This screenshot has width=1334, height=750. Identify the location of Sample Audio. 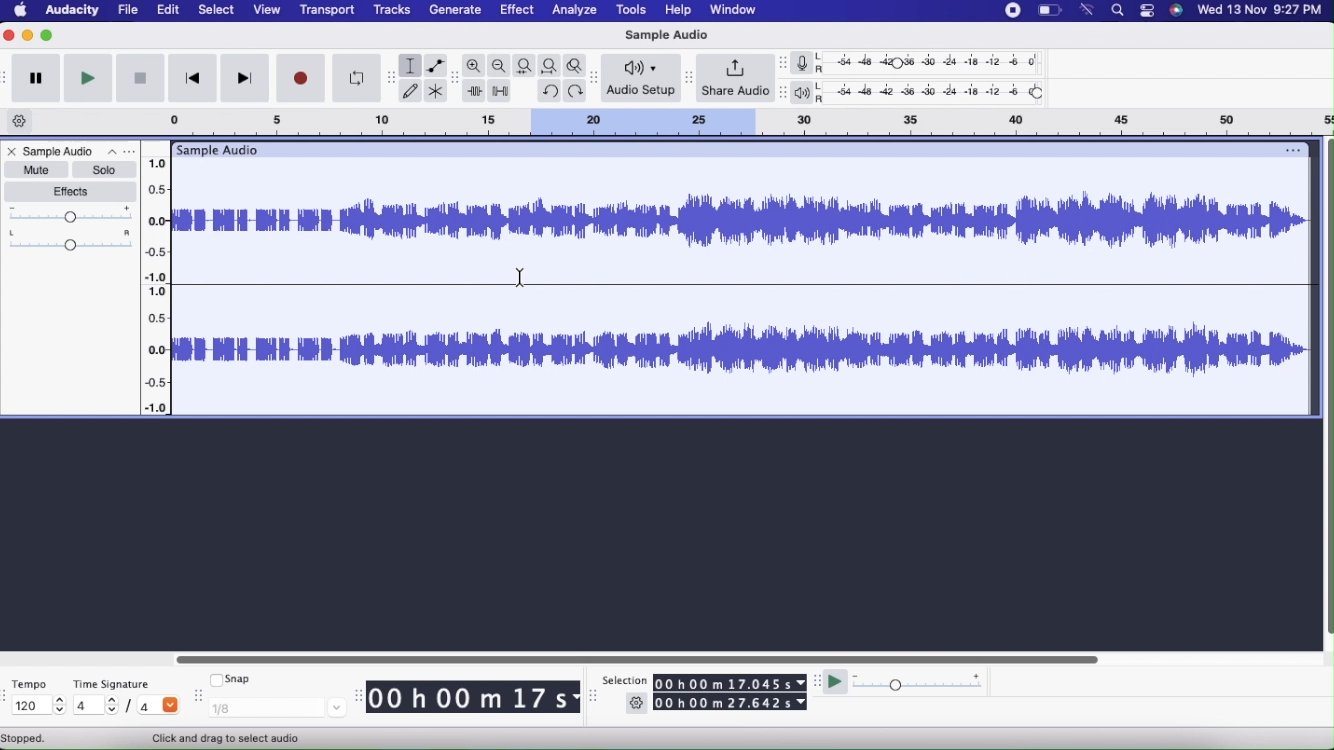
(60, 151).